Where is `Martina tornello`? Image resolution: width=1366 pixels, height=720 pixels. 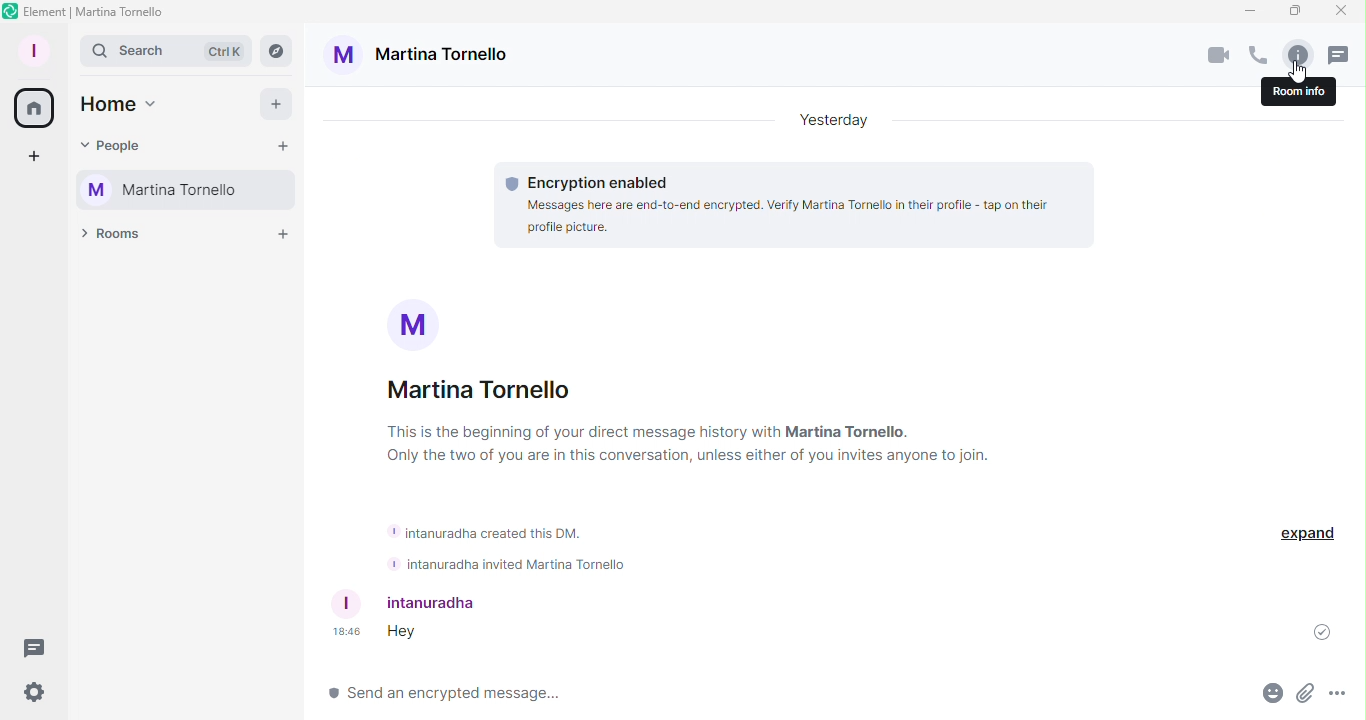
Martina tornello is located at coordinates (421, 60).